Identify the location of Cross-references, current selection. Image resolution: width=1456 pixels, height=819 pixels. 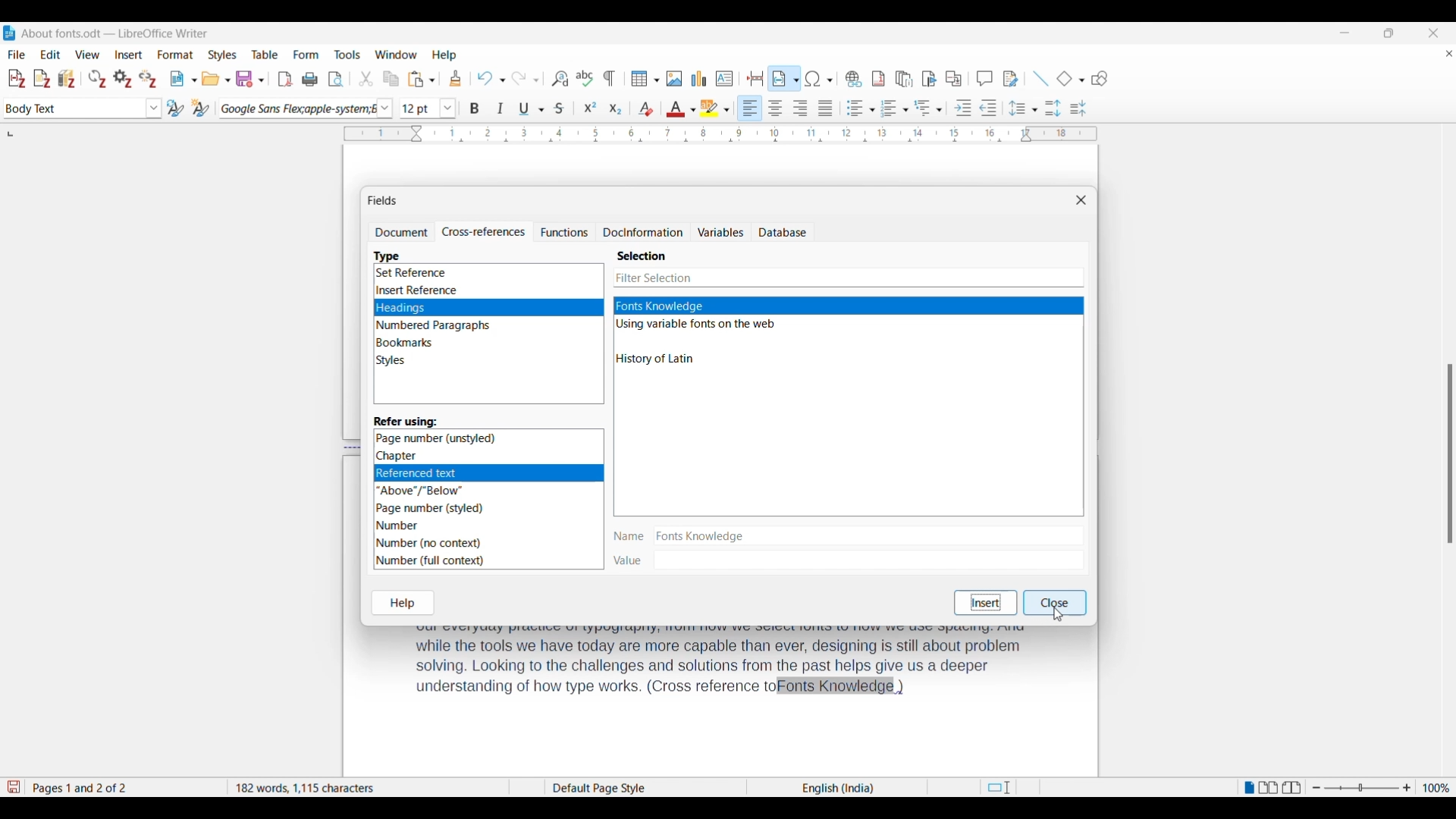
(483, 232).